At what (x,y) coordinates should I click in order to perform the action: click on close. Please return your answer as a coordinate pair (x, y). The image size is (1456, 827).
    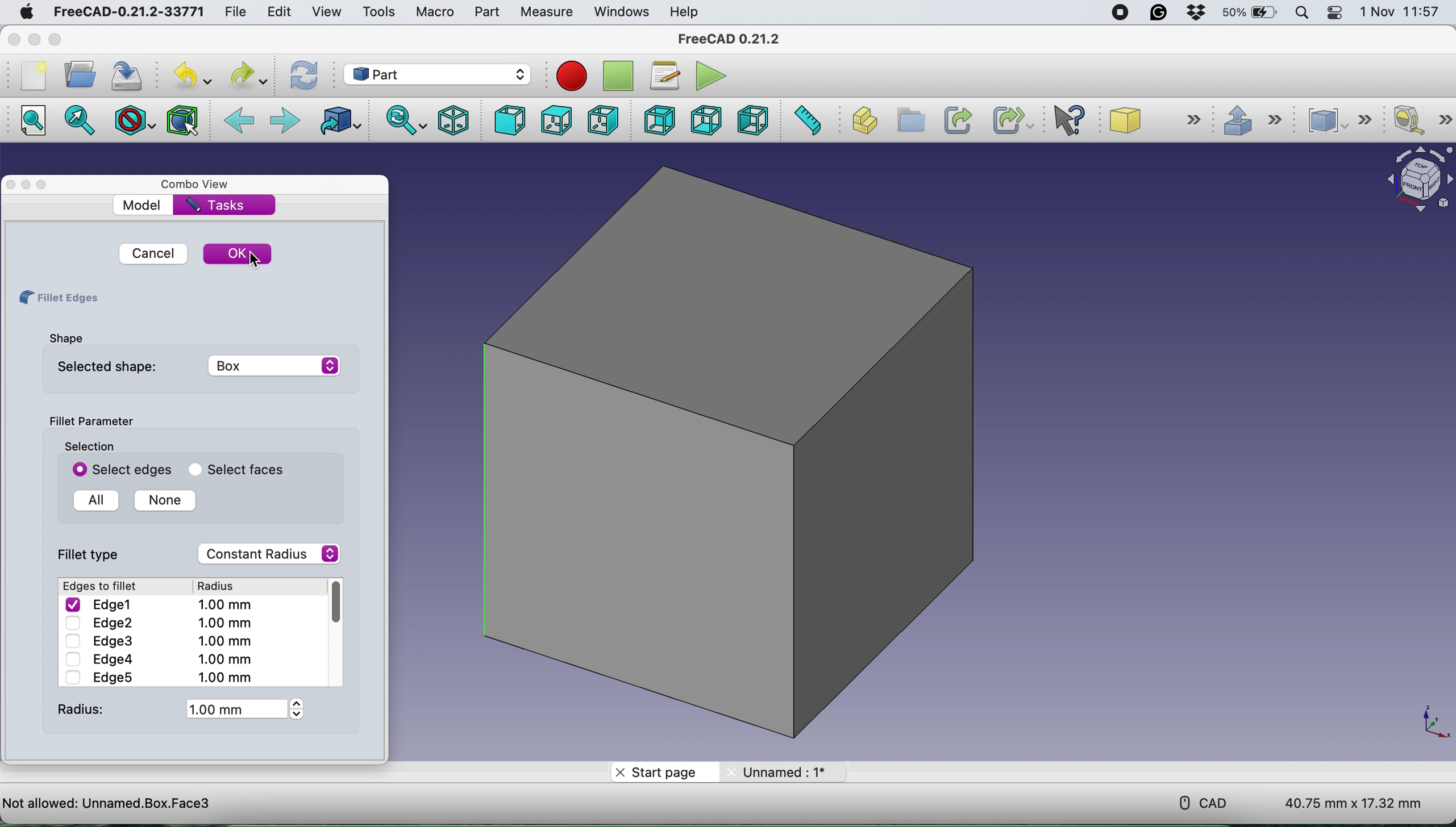
    Looking at the image, I should click on (14, 40).